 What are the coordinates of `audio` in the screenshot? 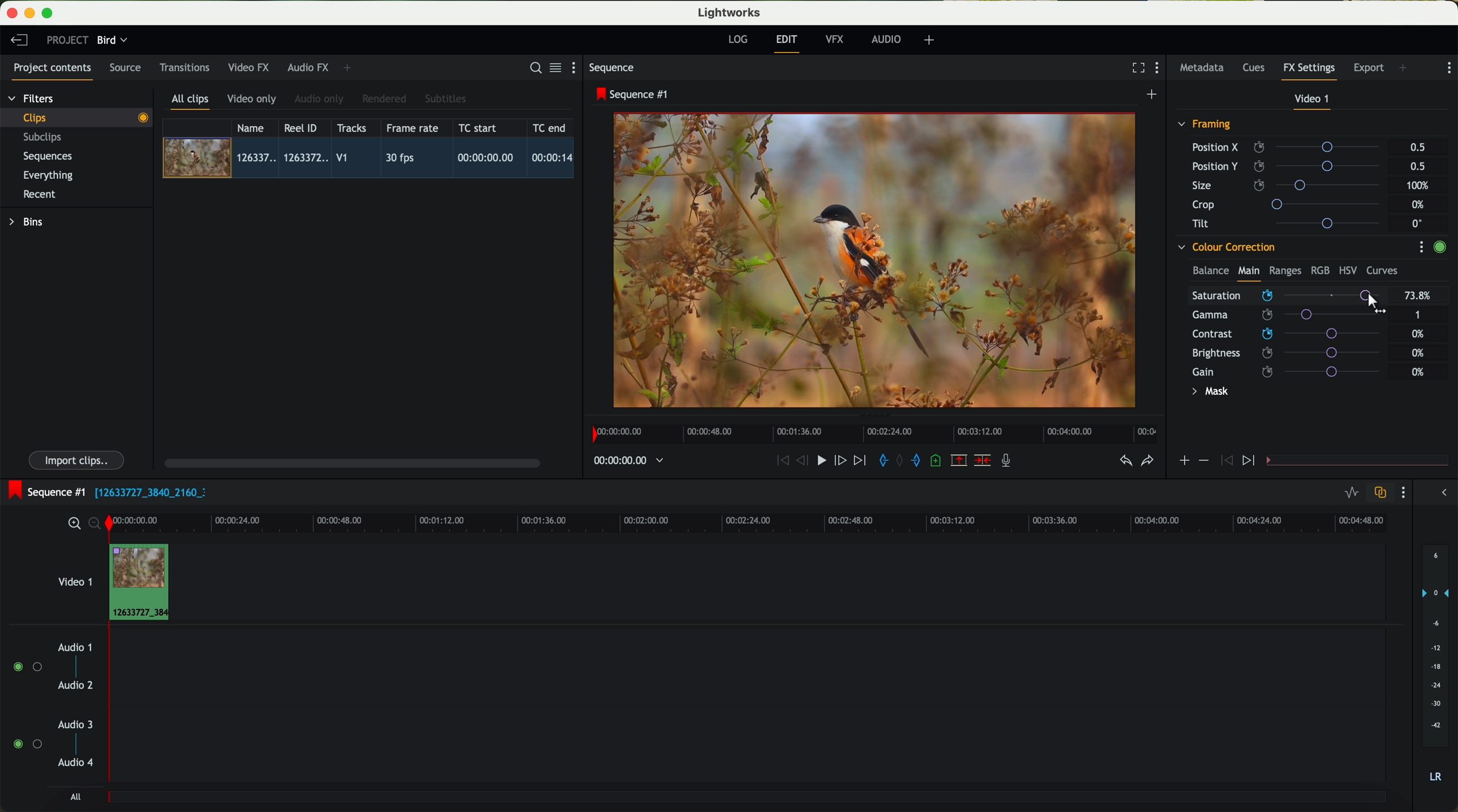 It's located at (886, 39).